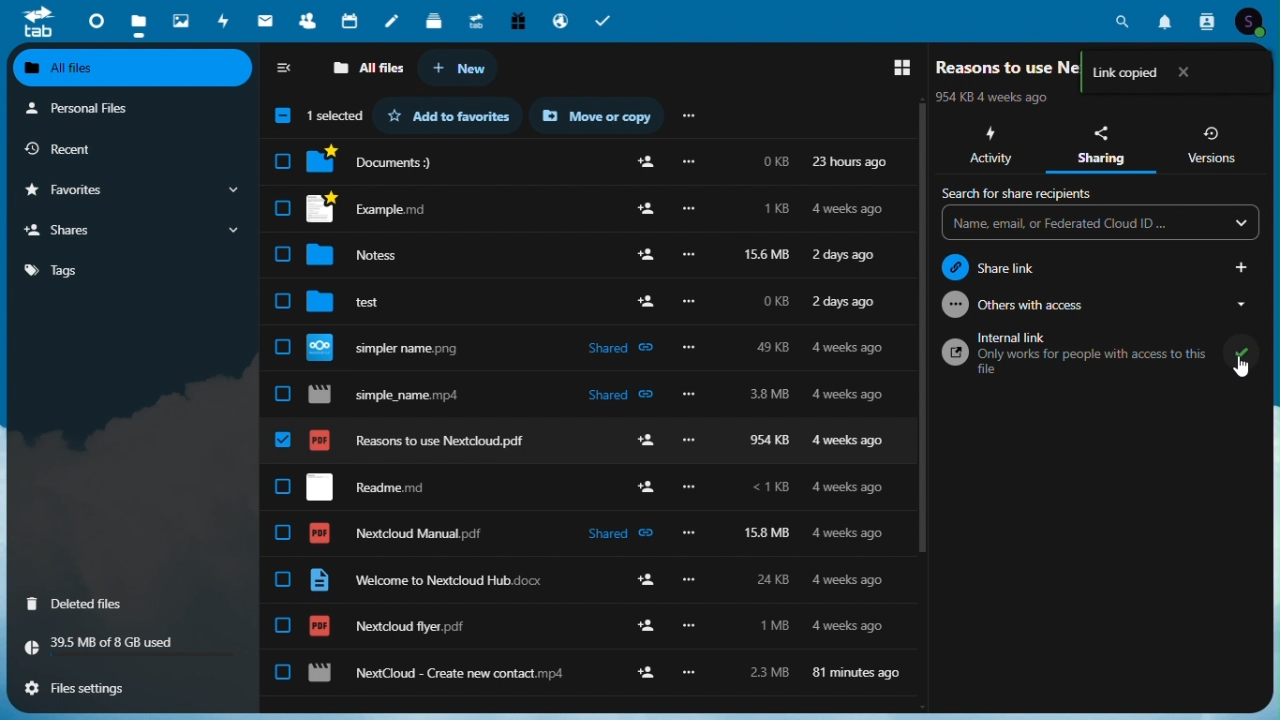  What do you see at coordinates (392, 22) in the screenshot?
I see `notes` at bounding box center [392, 22].